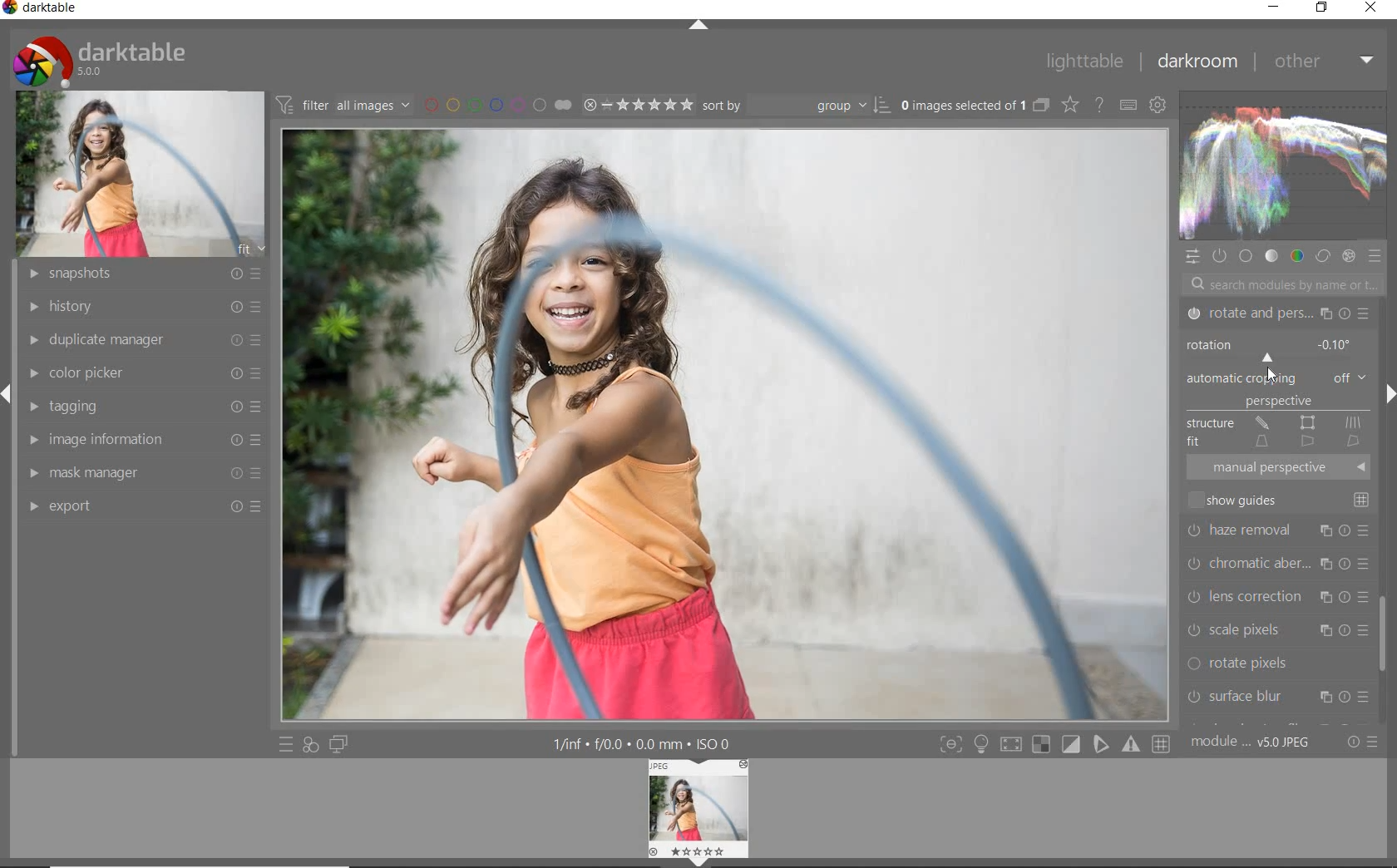  Describe the element at coordinates (1350, 258) in the screenshot. I see `effect` at that location.